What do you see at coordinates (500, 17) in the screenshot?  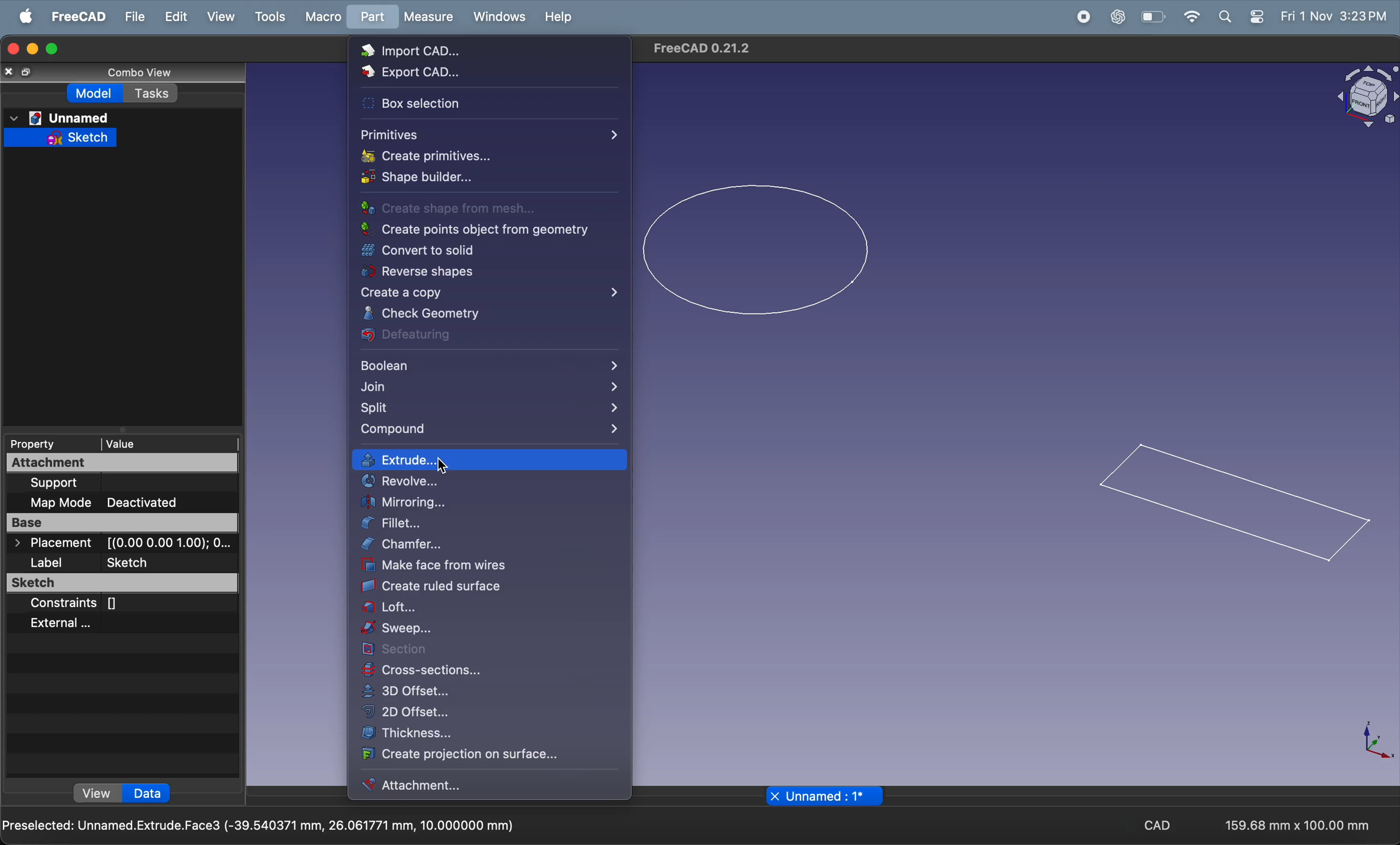 I see `Window` at bounding box center [500, 17].